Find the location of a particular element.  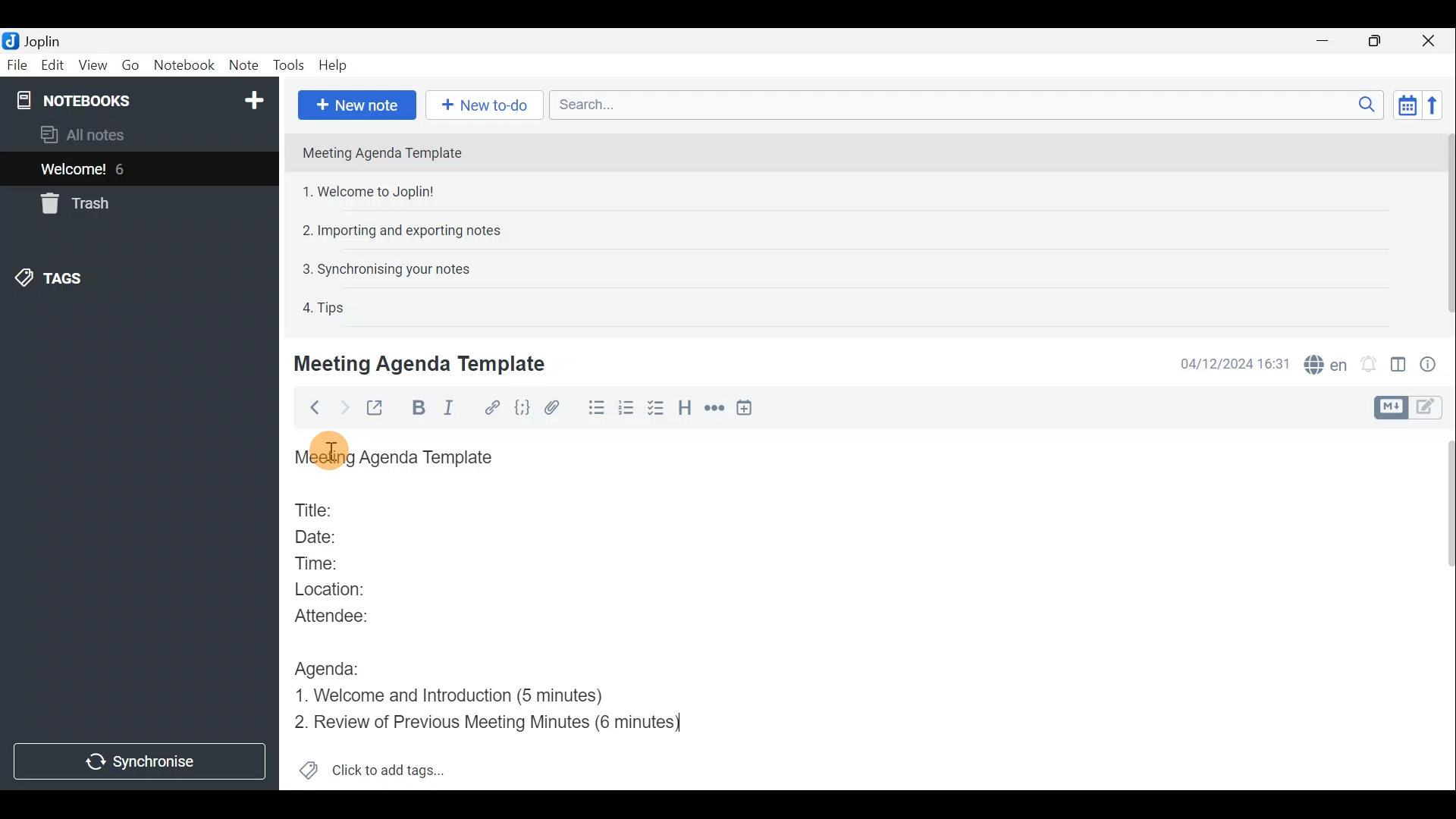

Joplin is located at coordinates (42, 40).